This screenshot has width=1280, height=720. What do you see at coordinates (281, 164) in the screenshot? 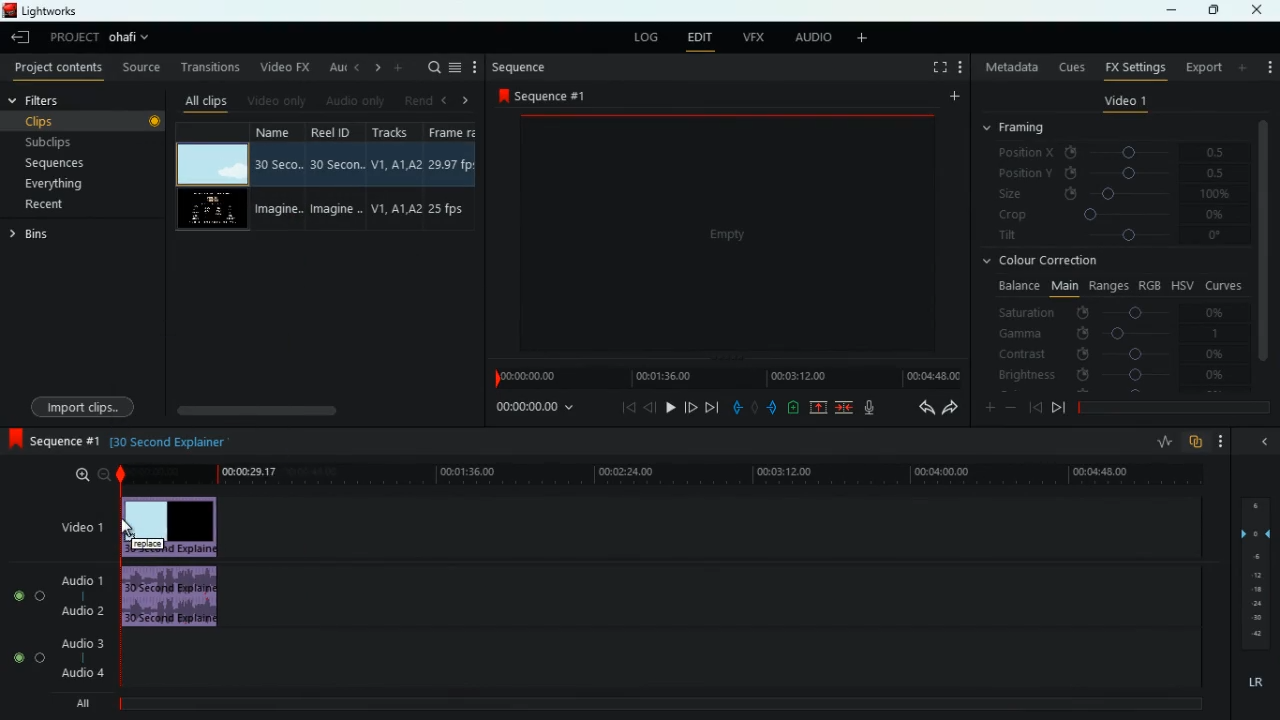
I see `30 Seco..` at bounding box center [281, 164].